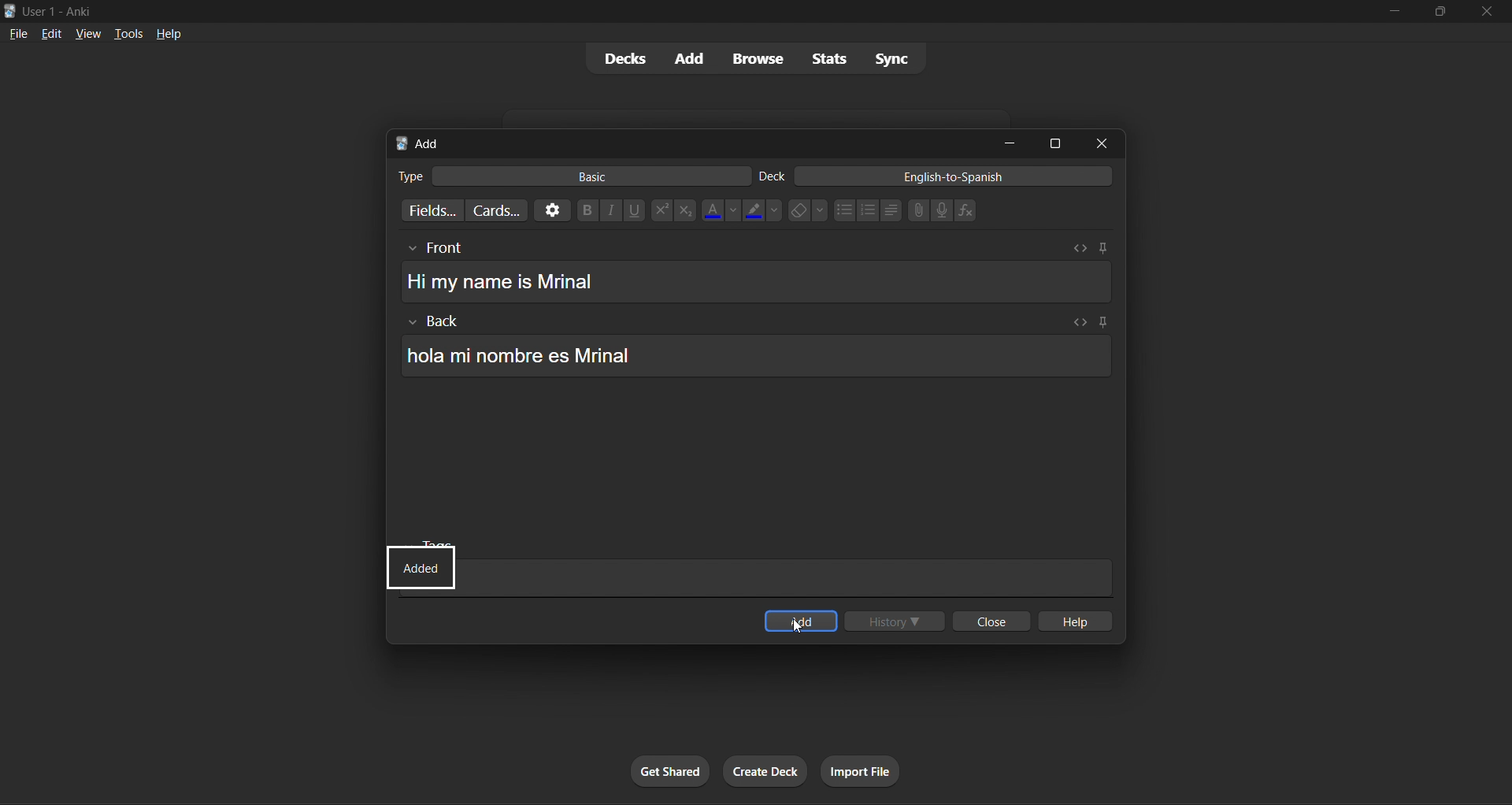 The width and height of the screenshot is (1512, 805). Describe the element at coordinates (756, 57) in the screenshot. I see `browse` at that location.